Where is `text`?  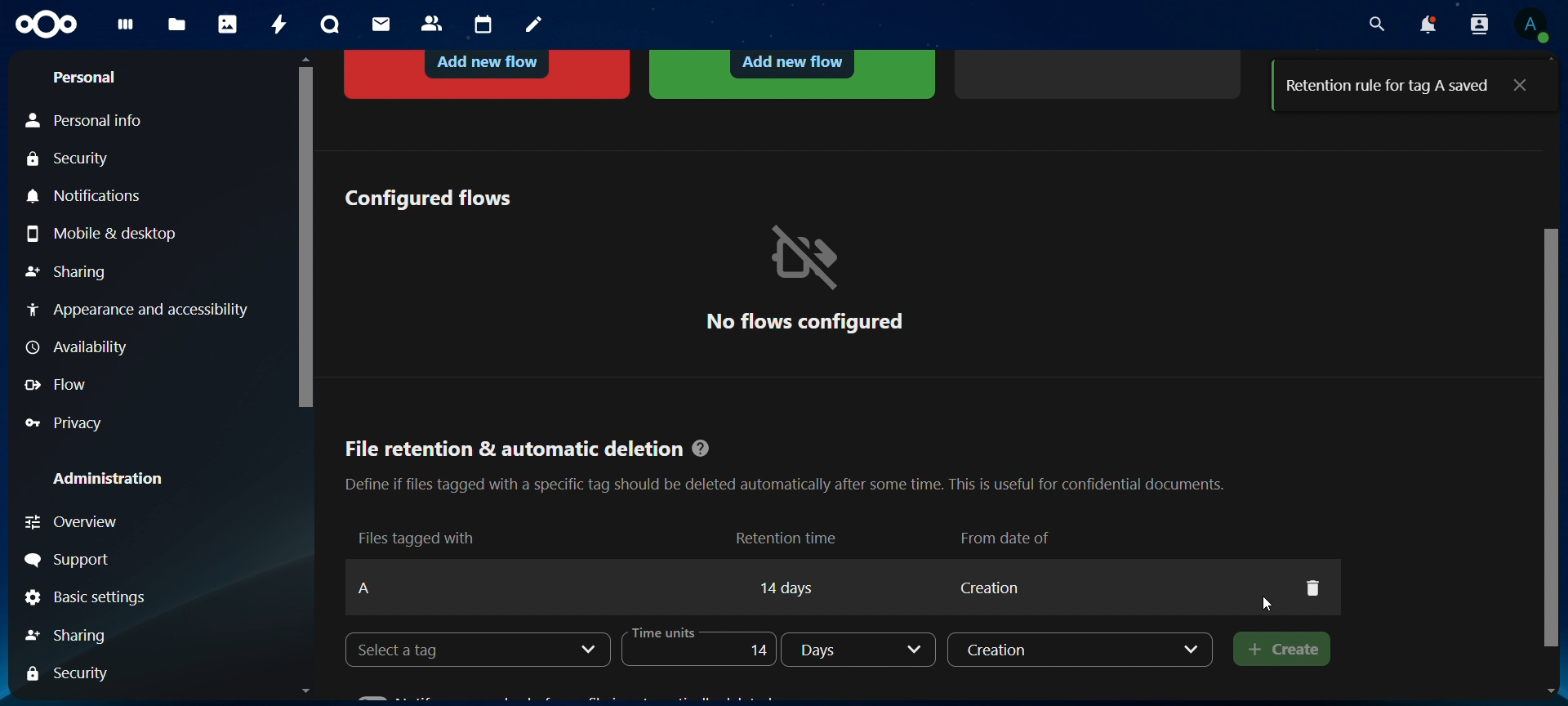 text is located at coordinates (812, 585).